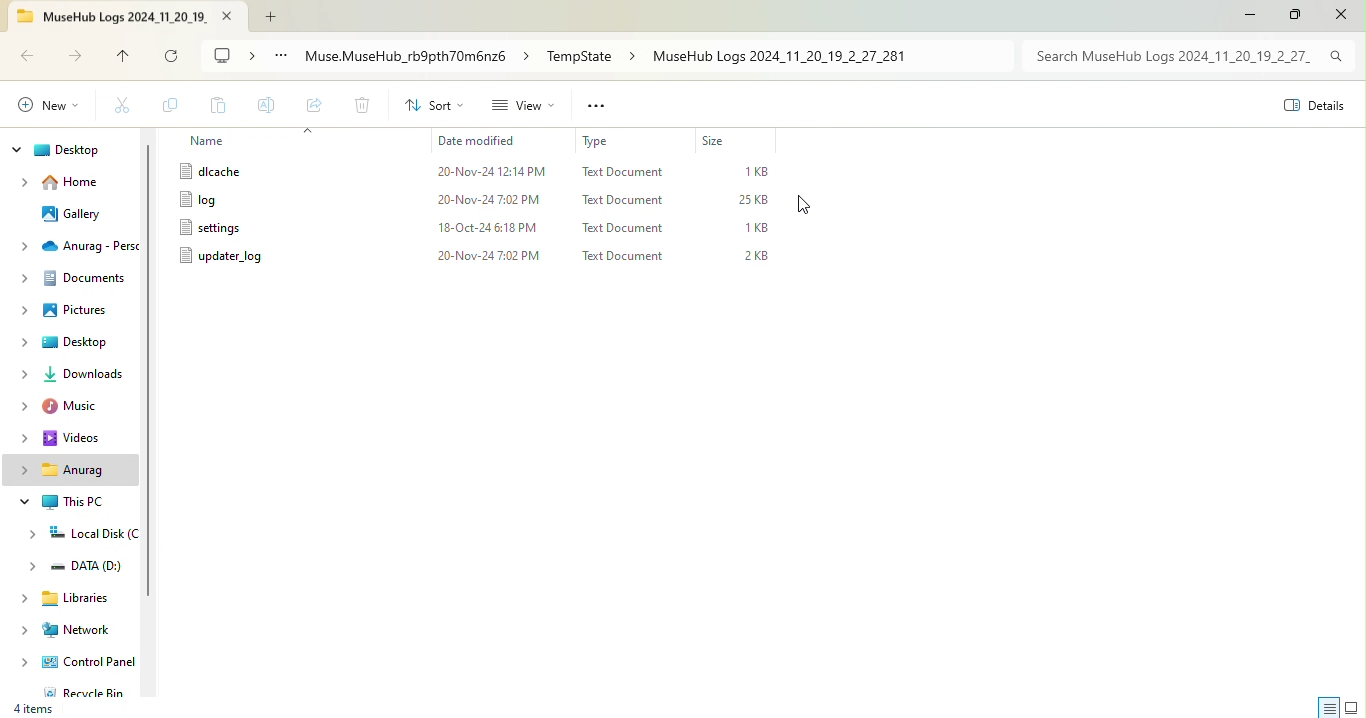  I want to click on File path, so click(590, 57).